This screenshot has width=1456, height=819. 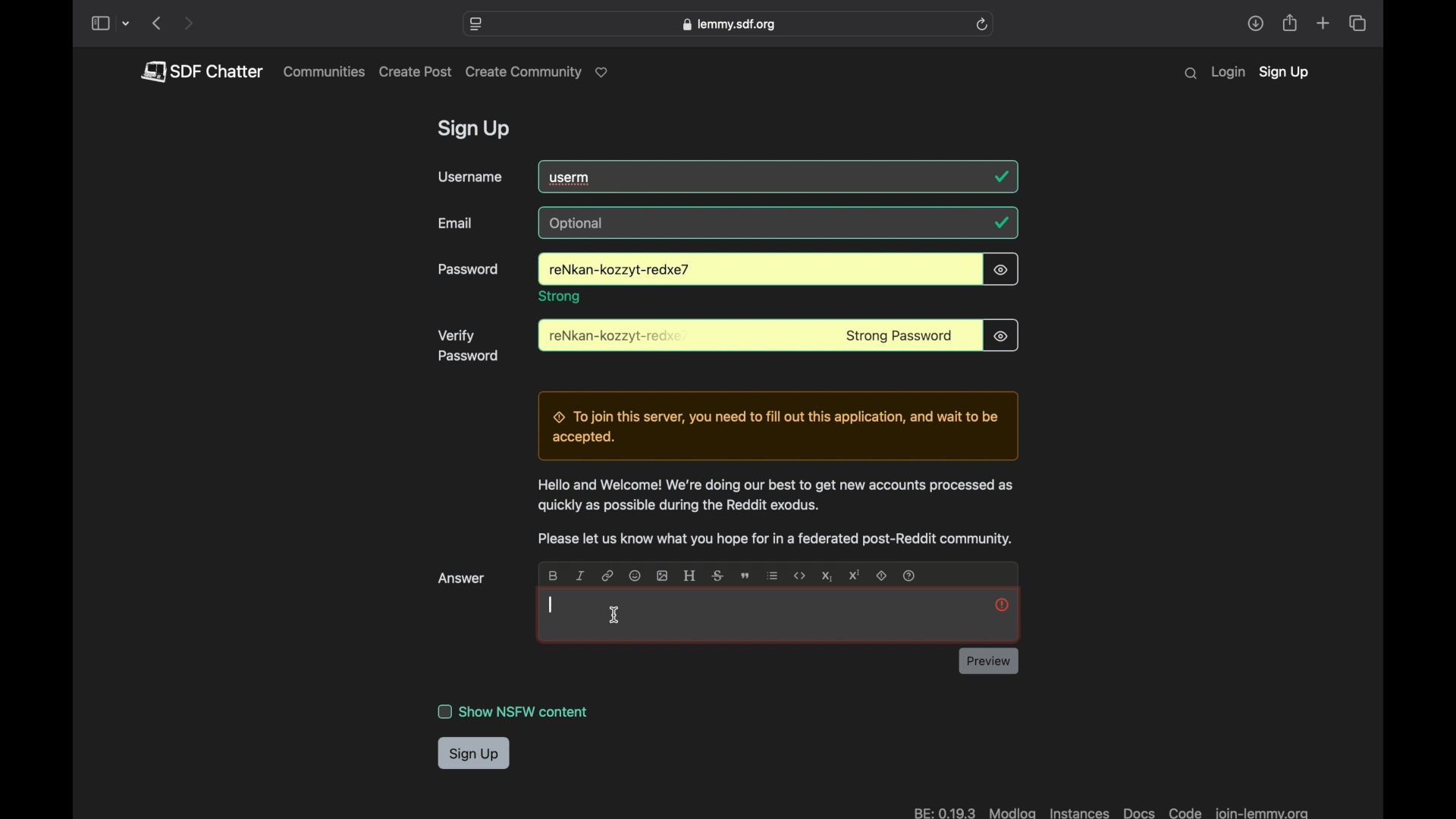 I want to click on refresh, so click(x=982, y=24).